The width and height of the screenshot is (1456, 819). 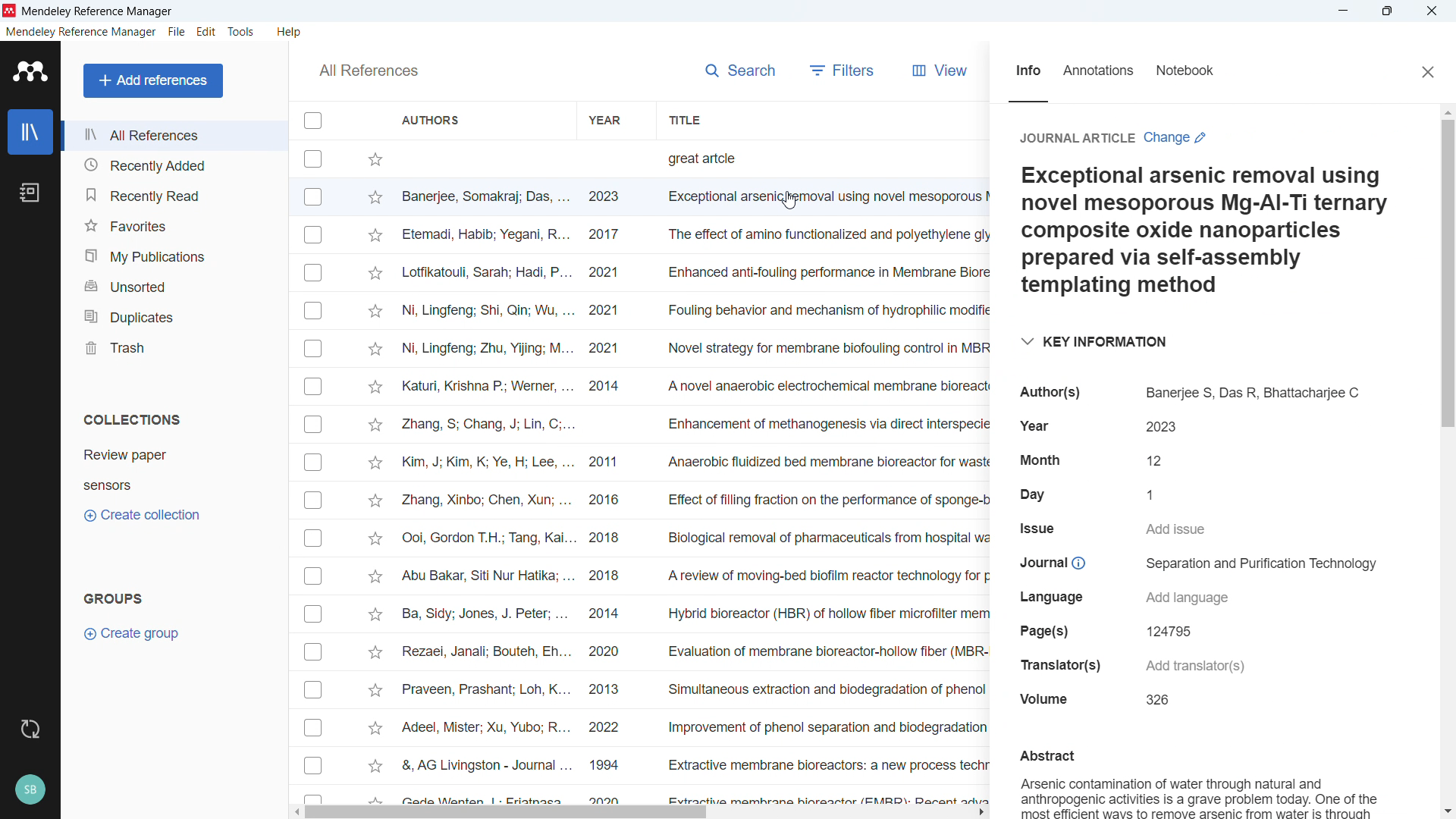 I want to click on Authors , so click(x=1255, y=393).